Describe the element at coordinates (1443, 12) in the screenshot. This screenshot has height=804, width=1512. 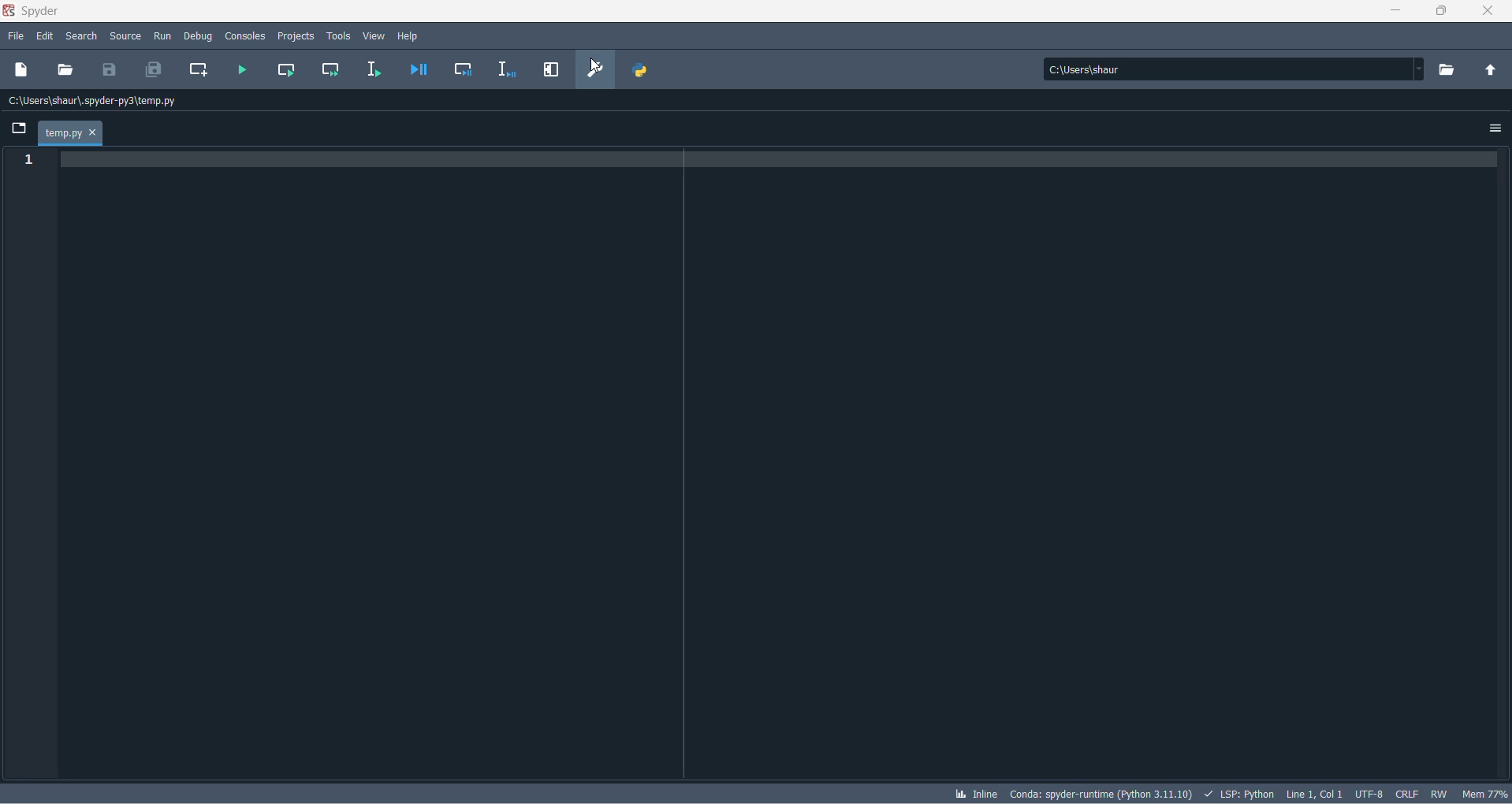
I see `maximize` at that location.